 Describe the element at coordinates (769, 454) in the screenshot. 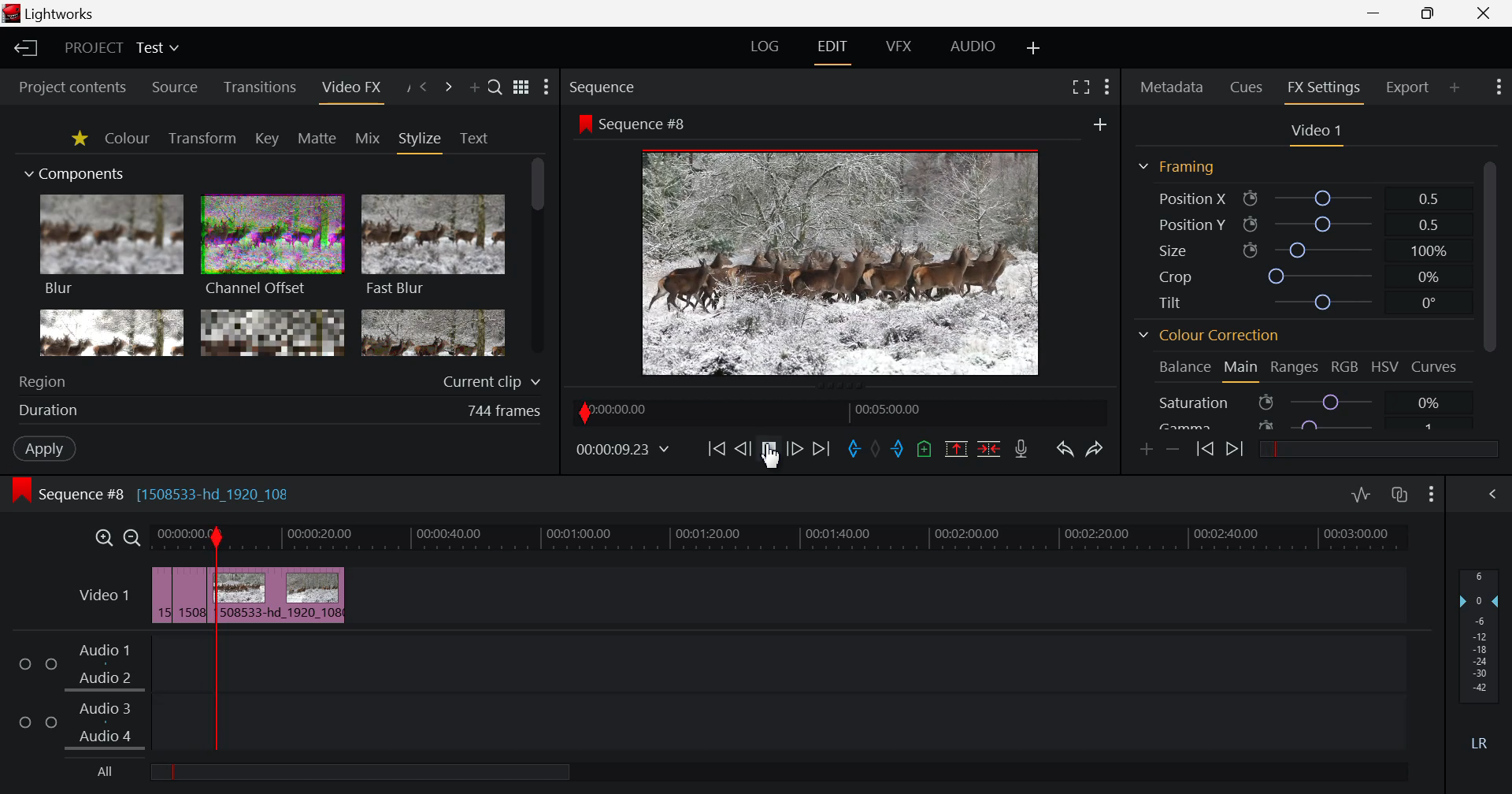

I see `Video Played` at that location.